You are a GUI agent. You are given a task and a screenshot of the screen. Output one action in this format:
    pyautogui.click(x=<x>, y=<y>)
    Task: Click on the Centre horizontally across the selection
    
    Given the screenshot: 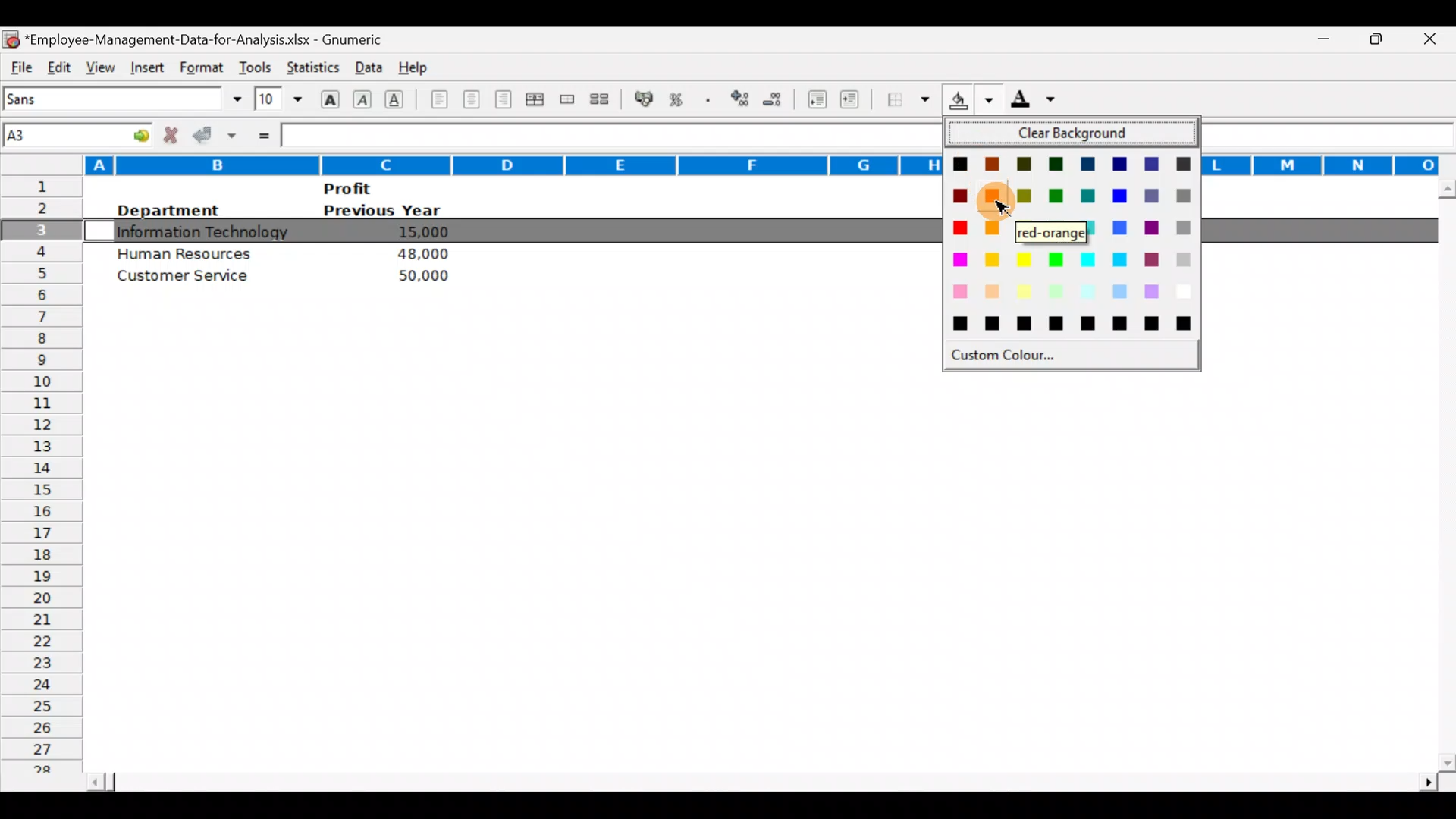 What is the action you would take?
    pyautogui.click(x=538, y=102)
    